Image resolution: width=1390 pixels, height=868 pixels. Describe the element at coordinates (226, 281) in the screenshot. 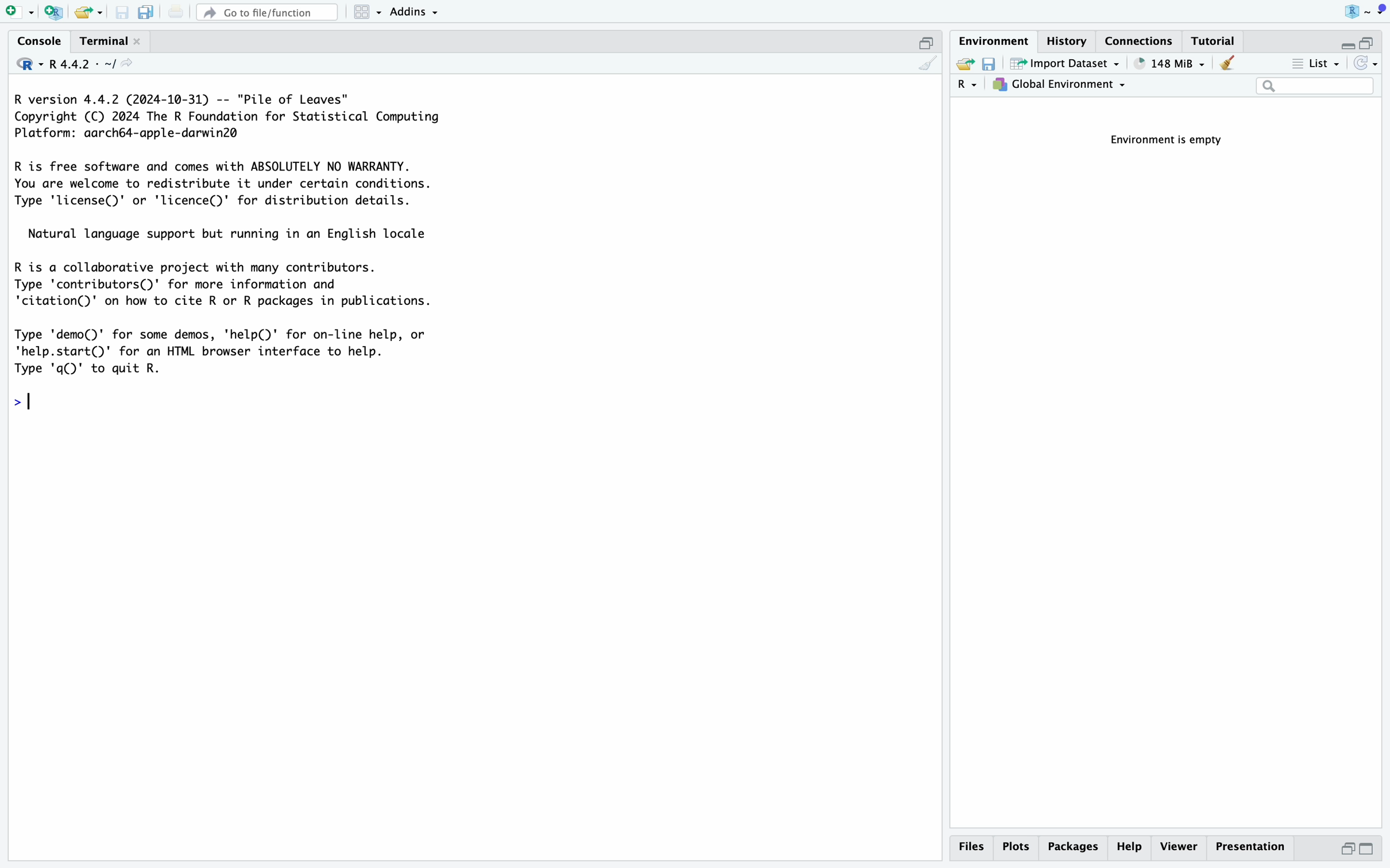

I see `description of contributors` at that location.